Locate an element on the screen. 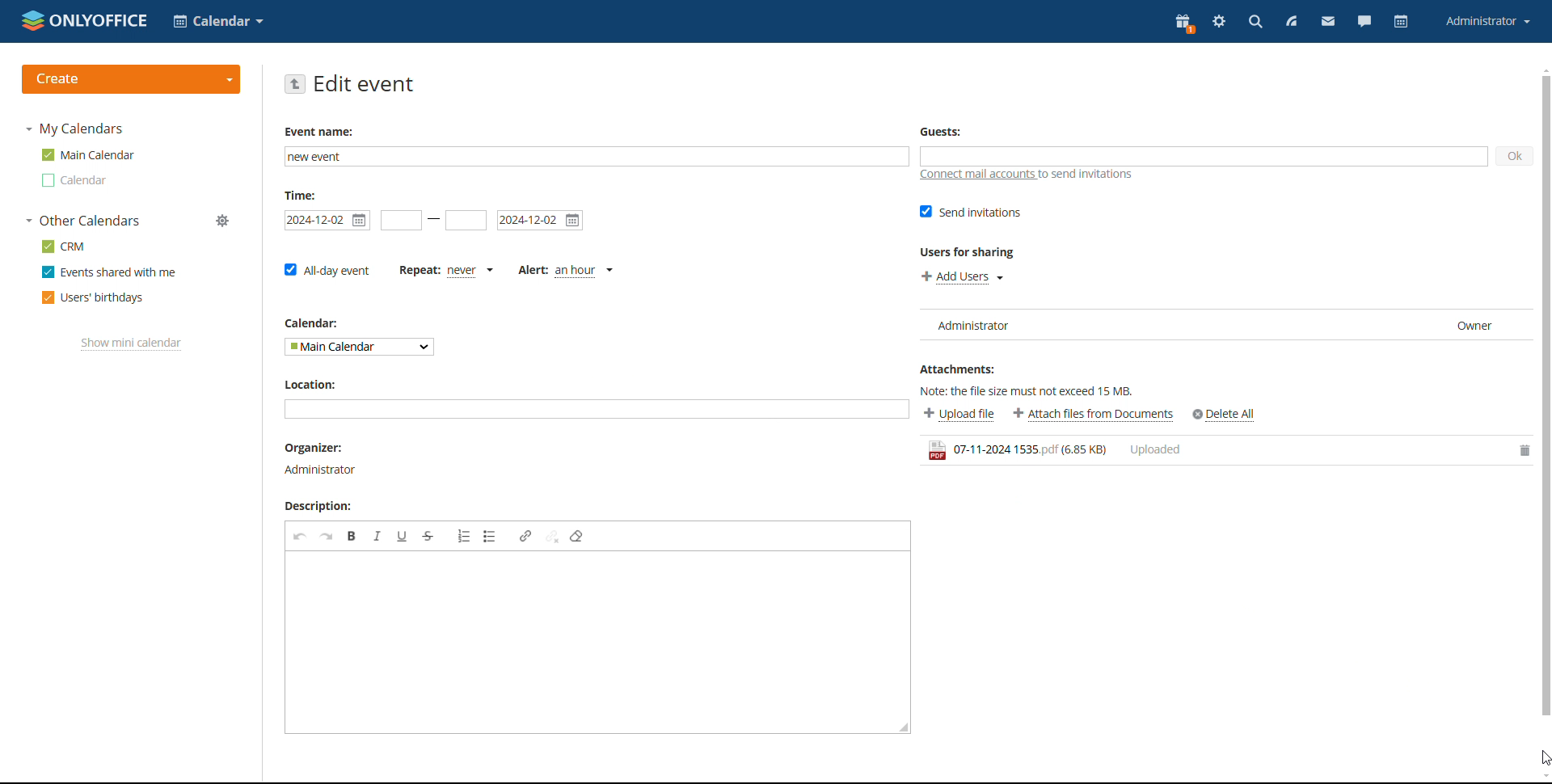 Image resolution: width=1552 pixels, height=784 pixels. end date is located at coordinates (466, 220).